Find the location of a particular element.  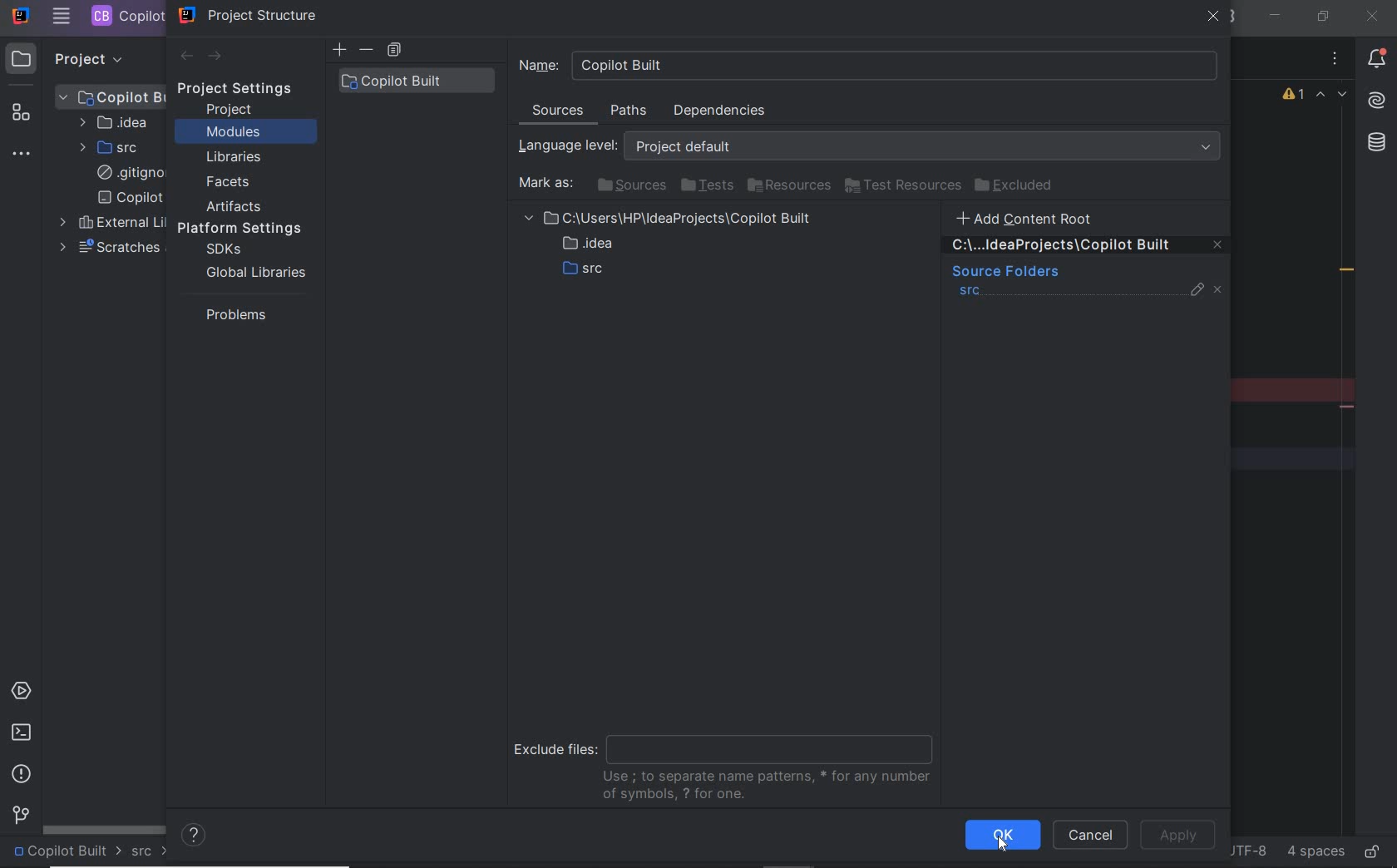

Language Level is located at coordinates (873, 146).